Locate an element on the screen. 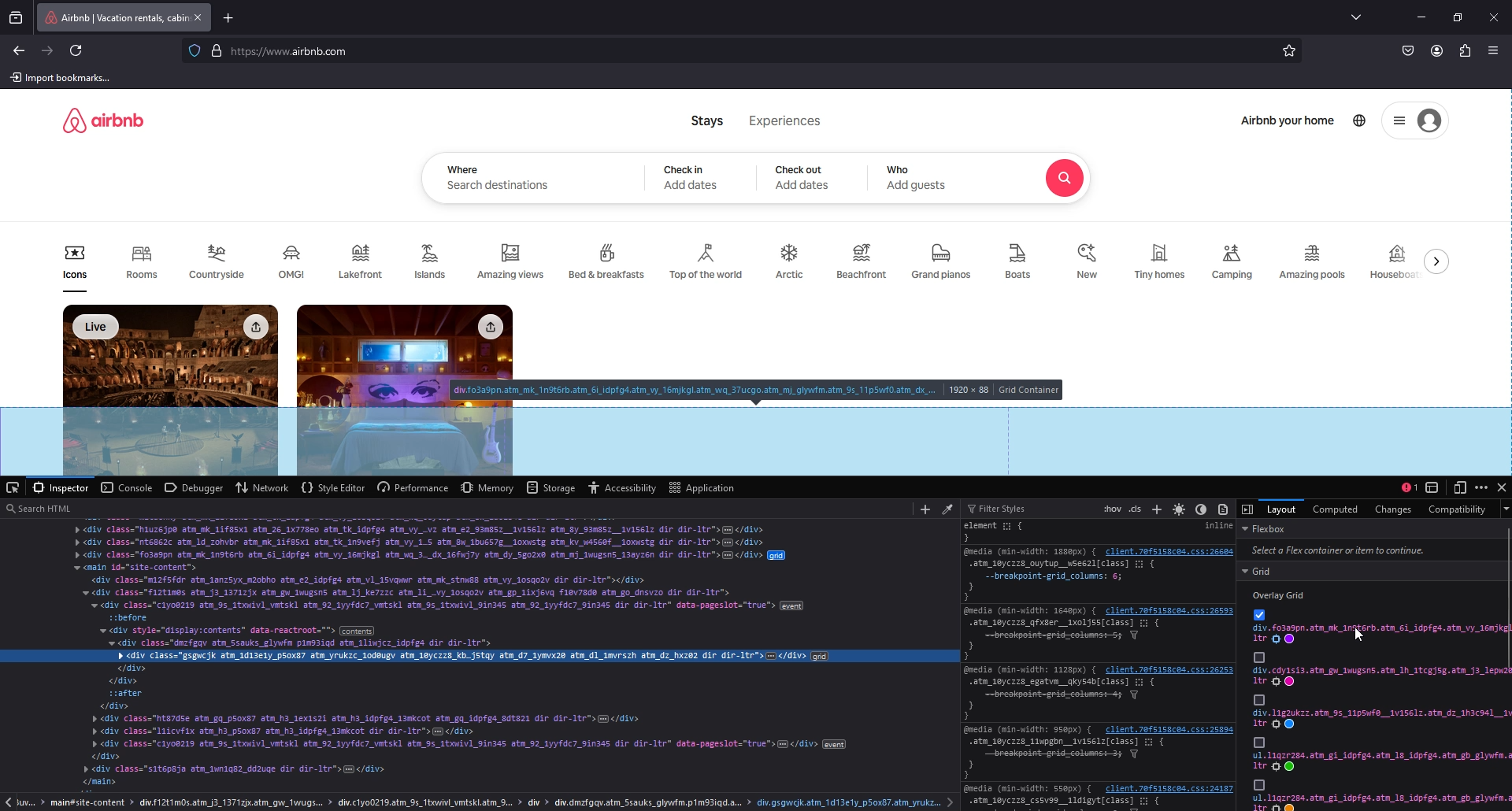 The width and height of the screenshot is (1512, 811). Top of the world is located at coordinates (709, 262).